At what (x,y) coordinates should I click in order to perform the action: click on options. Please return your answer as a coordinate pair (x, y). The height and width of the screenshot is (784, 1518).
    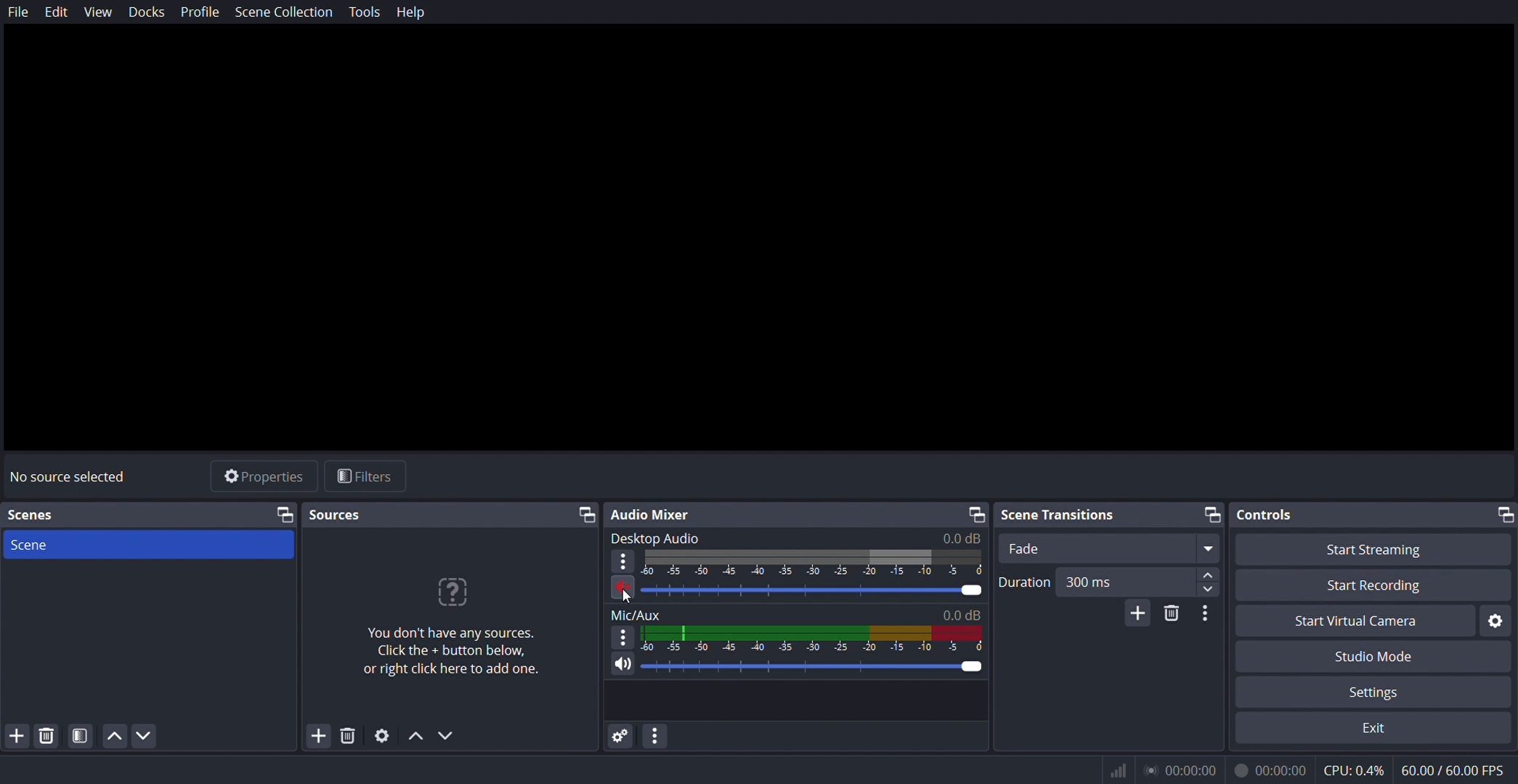
    Looking at the image, I should click on (622, 640).